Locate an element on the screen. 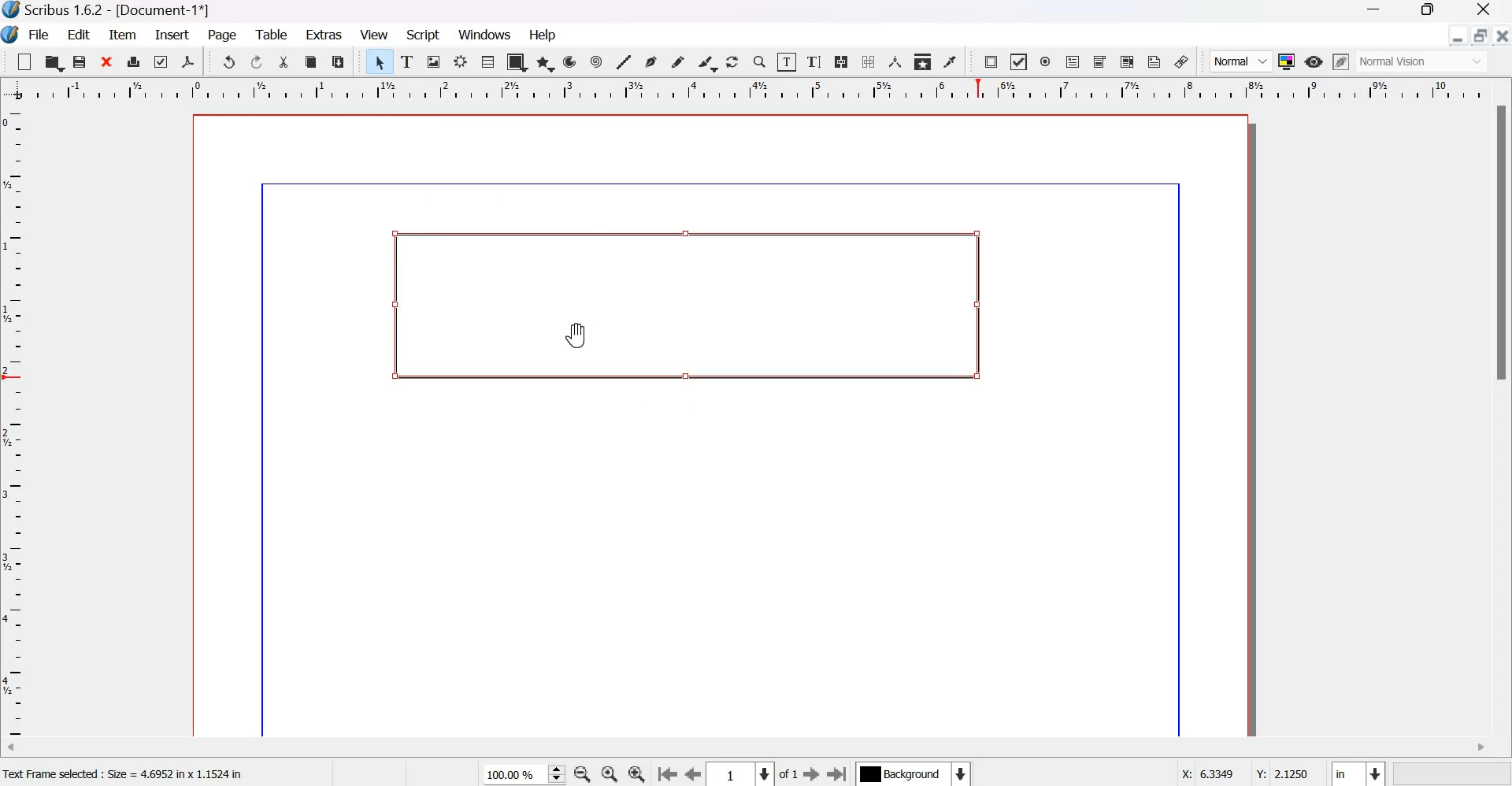  spiral is located at coordinates (598, 61).